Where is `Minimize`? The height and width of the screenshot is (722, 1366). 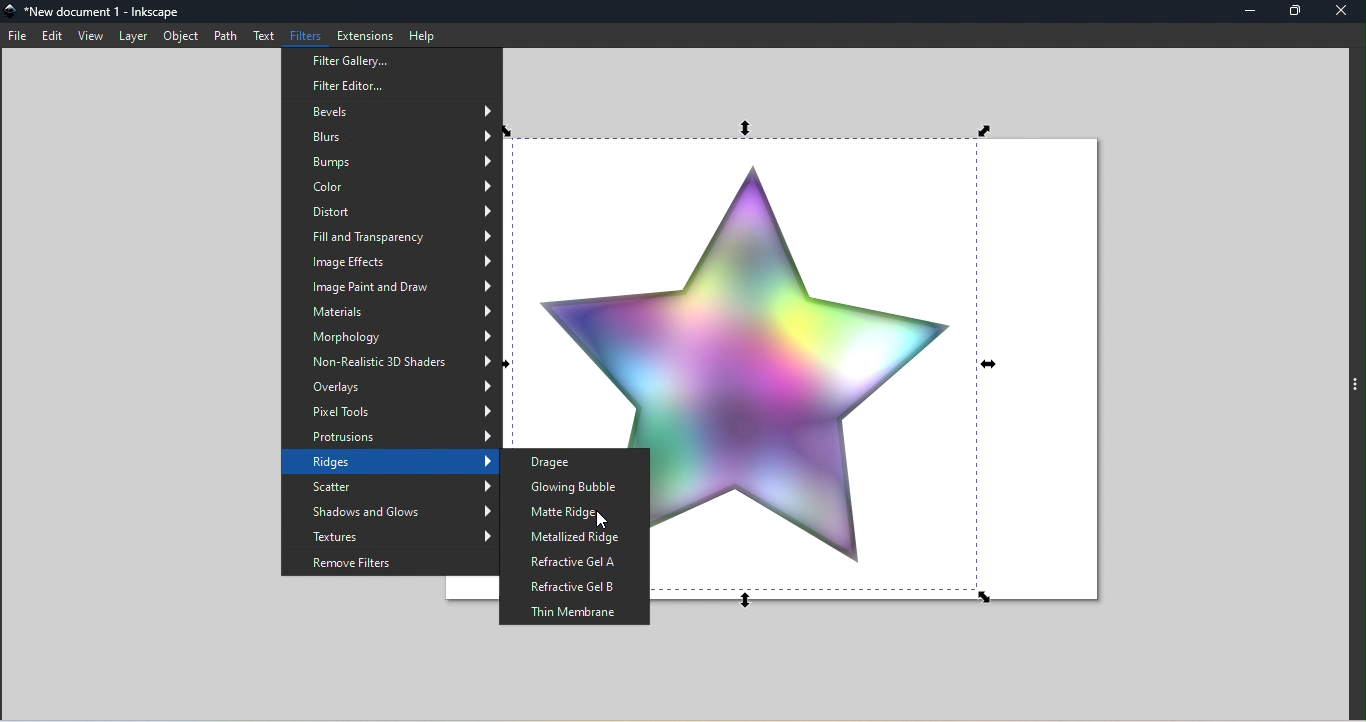 Minimize is located at coordinates (1252, 12).